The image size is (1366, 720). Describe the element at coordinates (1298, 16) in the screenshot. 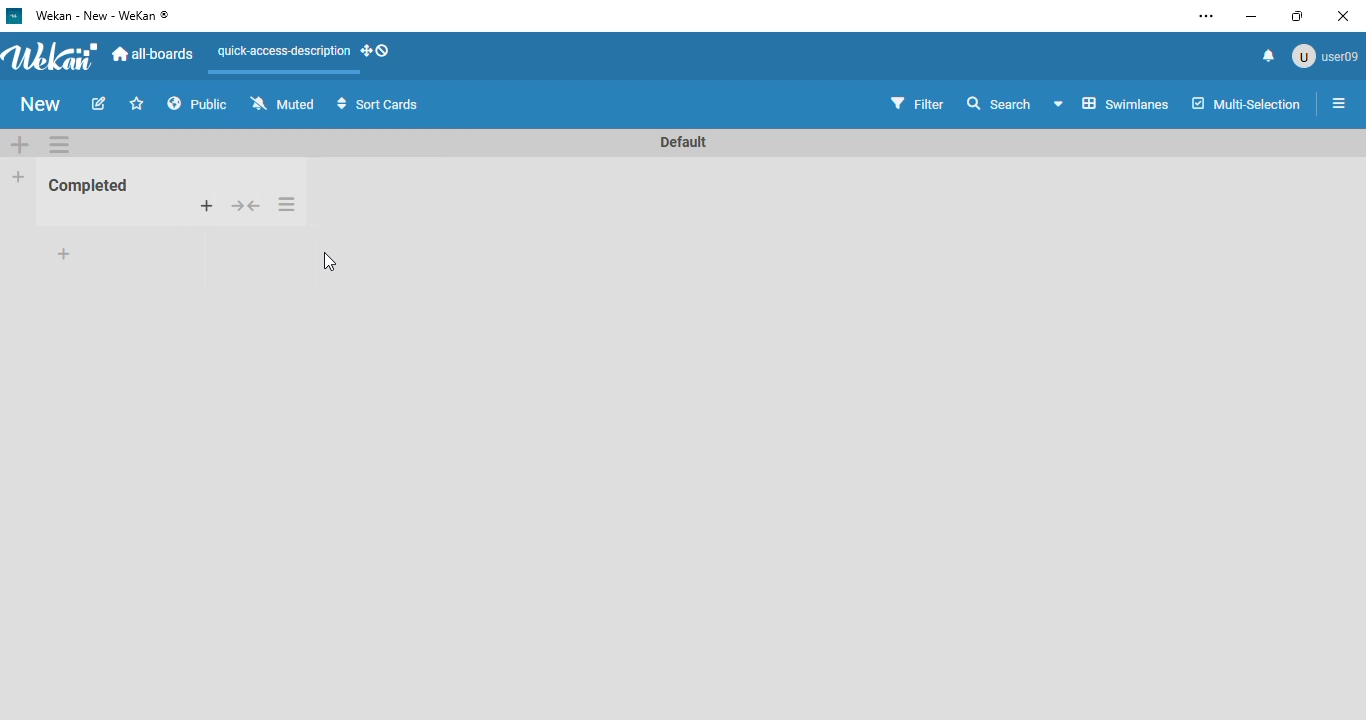

I see `maximize` at that location.